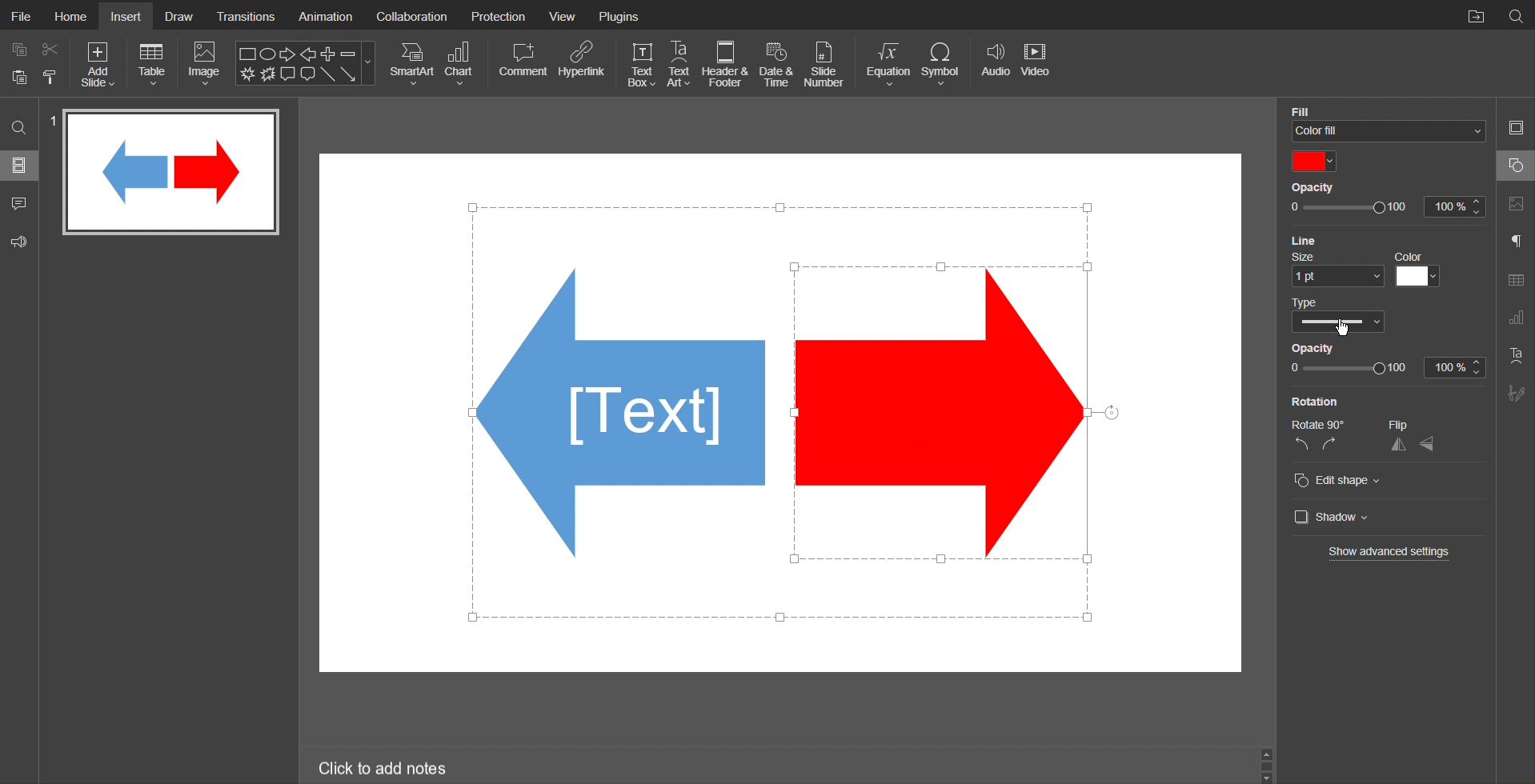 The image size is (1535, 784). Describe the element at coordinates (1389, 107) in the screenshot. I see `Fill Color` at that location.